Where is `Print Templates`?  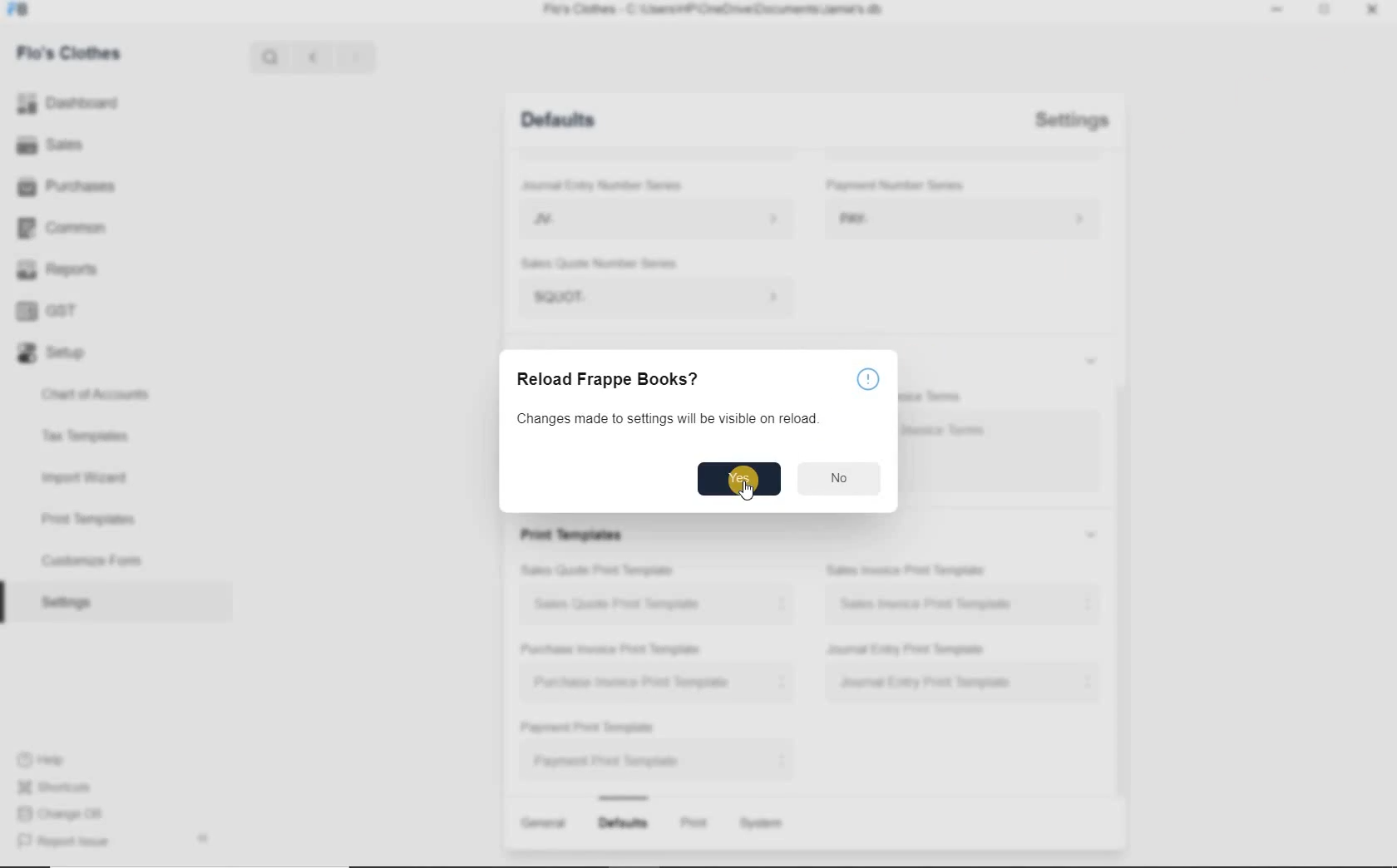 Print Templates is located at coordinates (575, 532).